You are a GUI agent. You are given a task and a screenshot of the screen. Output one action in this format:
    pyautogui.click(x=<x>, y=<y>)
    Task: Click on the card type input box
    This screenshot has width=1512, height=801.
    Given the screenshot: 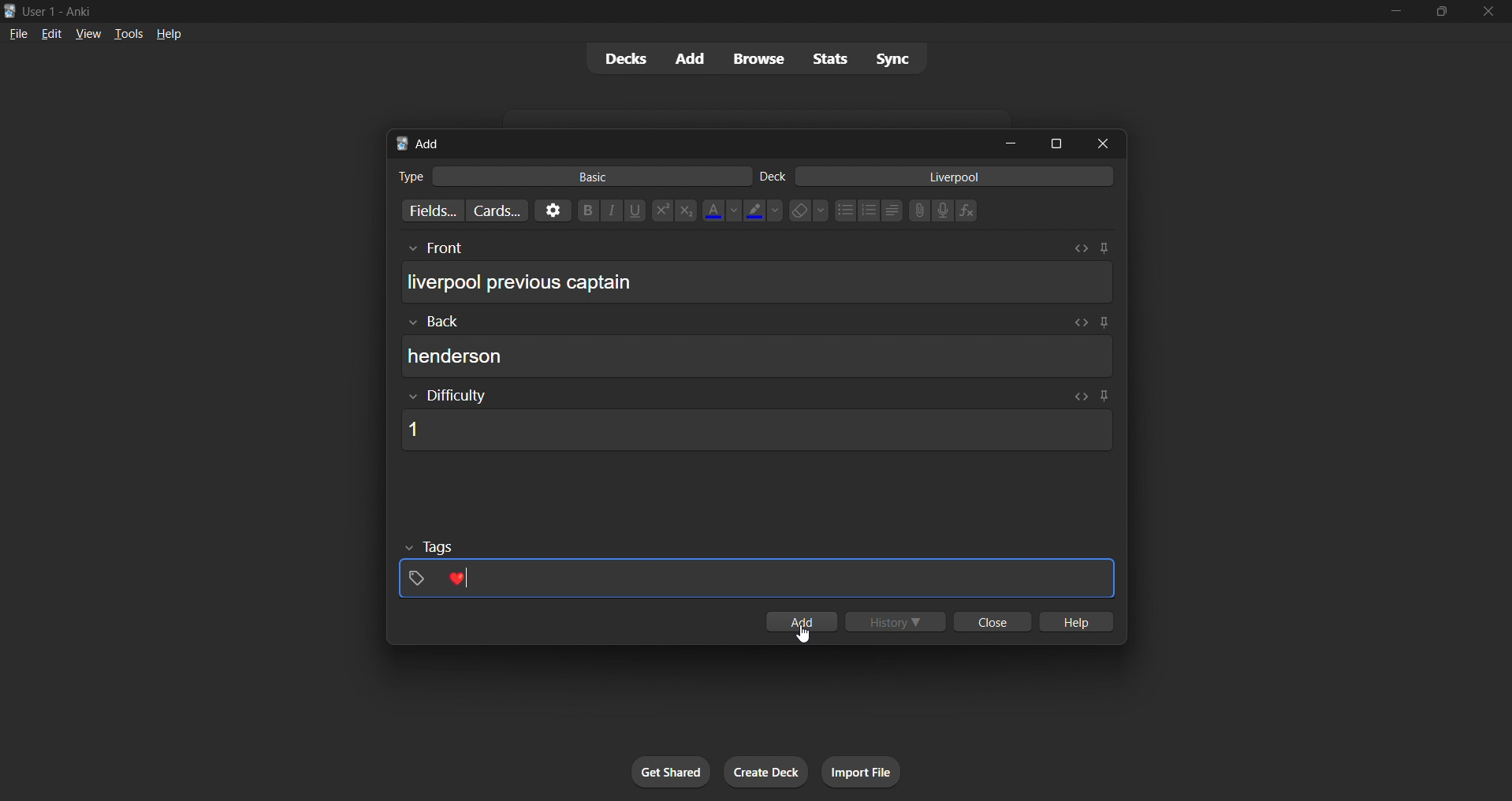 What is the action you would take?
    pyautogui.click(x=565, y=173)
    